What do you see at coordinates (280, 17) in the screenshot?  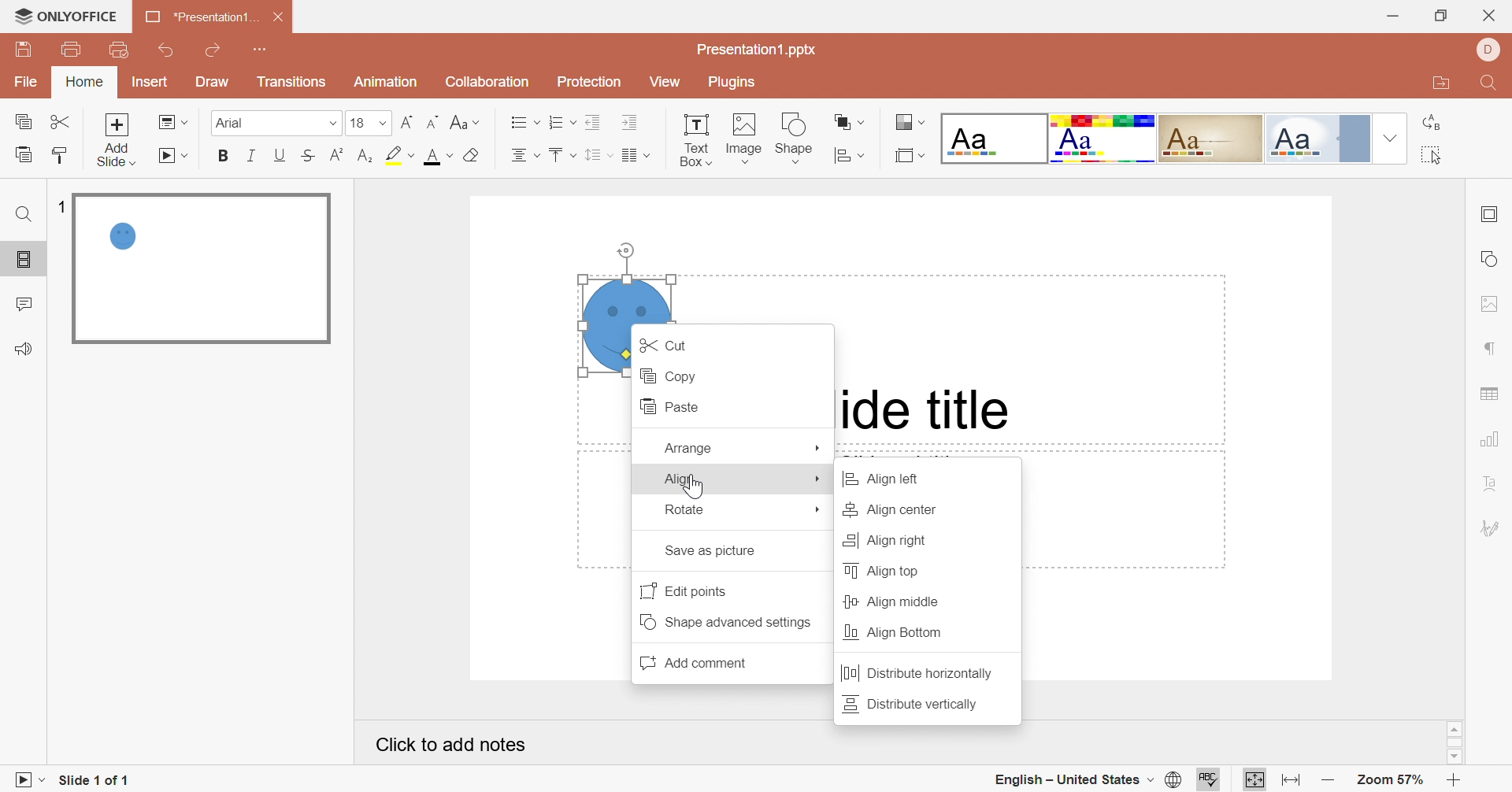 I see `Close` at bounding box center [280, 17].